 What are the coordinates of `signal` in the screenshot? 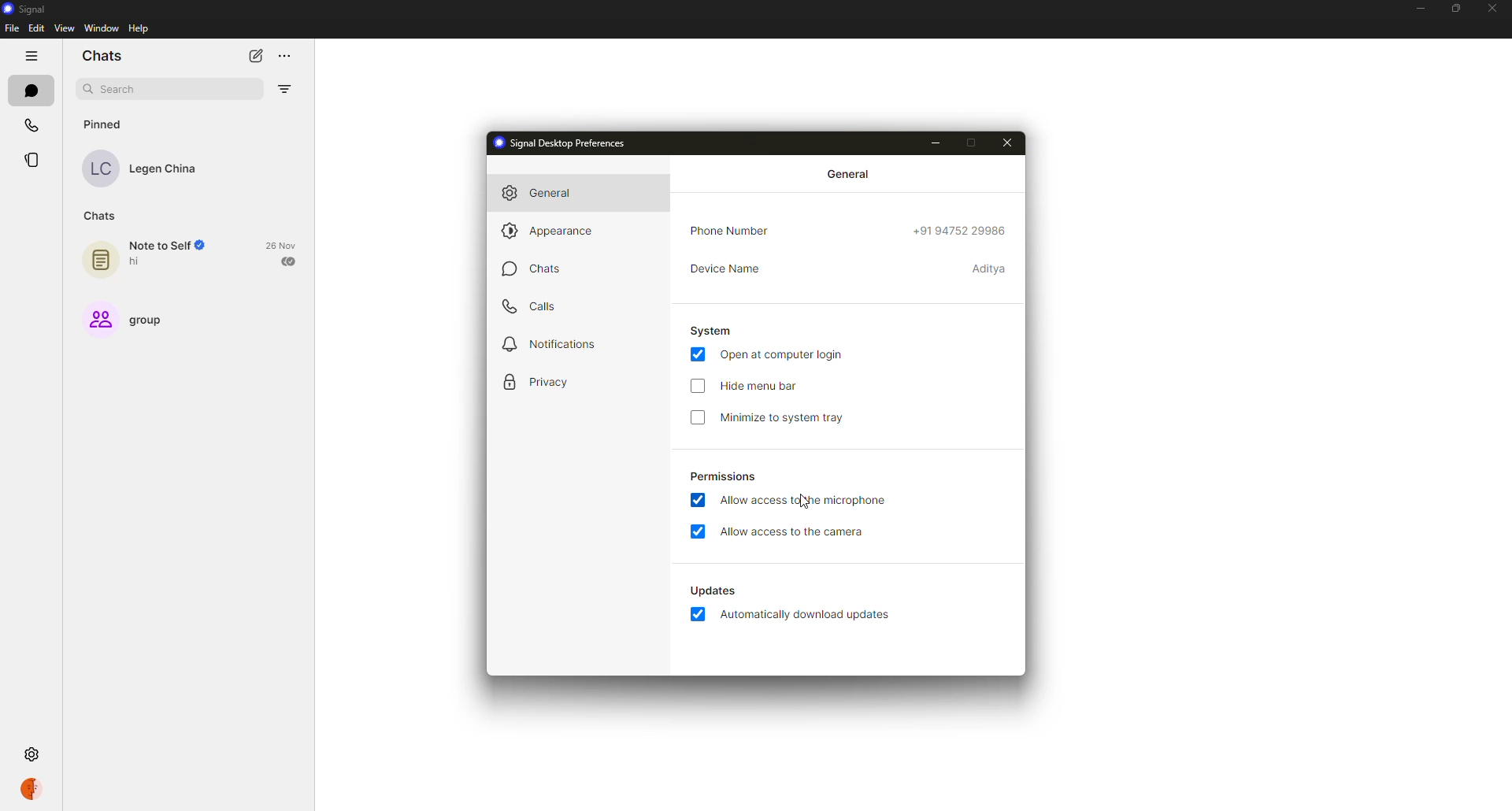 It's located at (27, 9).